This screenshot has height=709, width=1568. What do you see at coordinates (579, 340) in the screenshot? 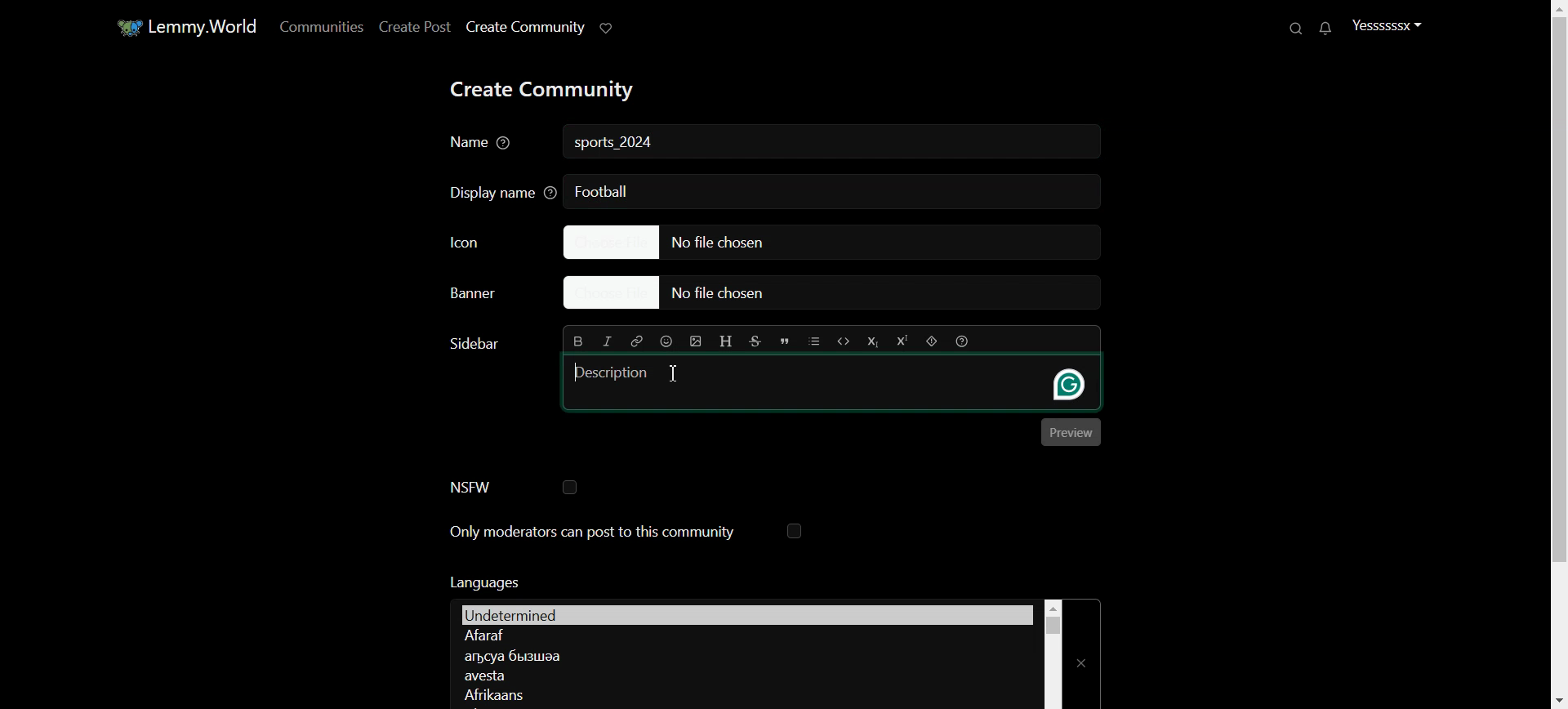
I see `Bold` at bounding box center [579, 340].